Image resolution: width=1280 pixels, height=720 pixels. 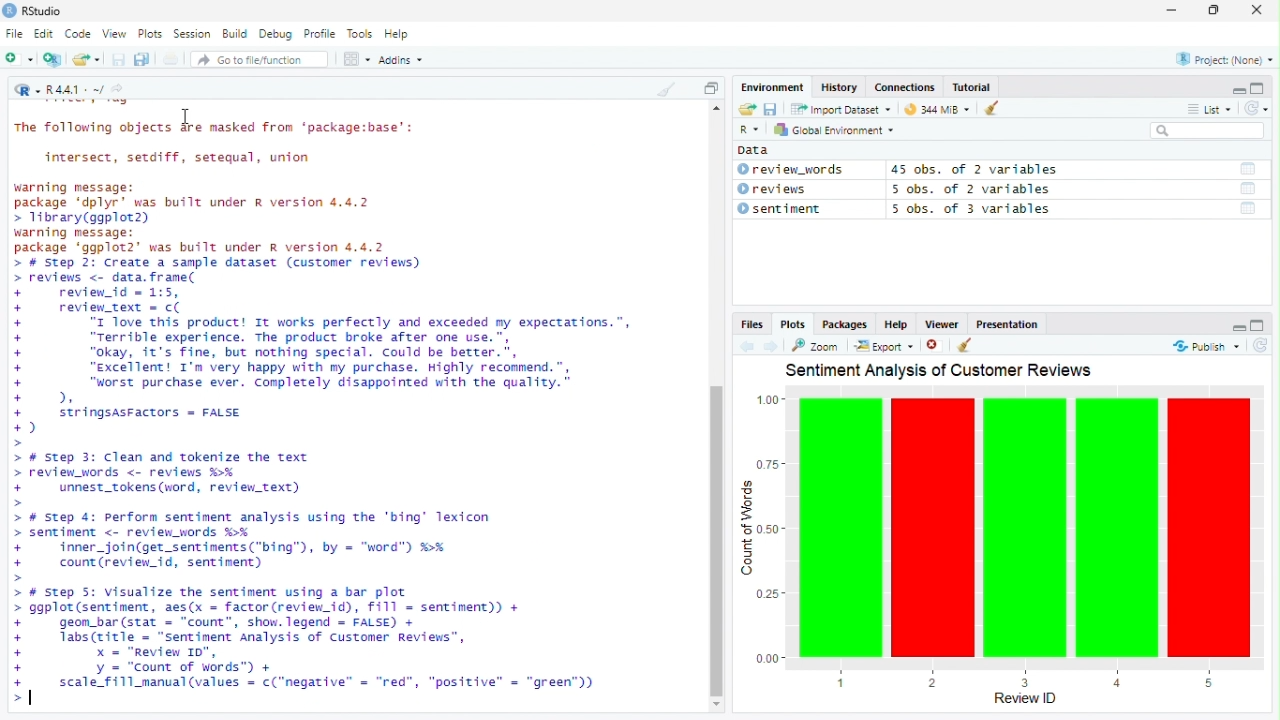 What do you see at coordinates (149, 34) in the screenshot?
I see `Plots` at bounding box center [149, 34].